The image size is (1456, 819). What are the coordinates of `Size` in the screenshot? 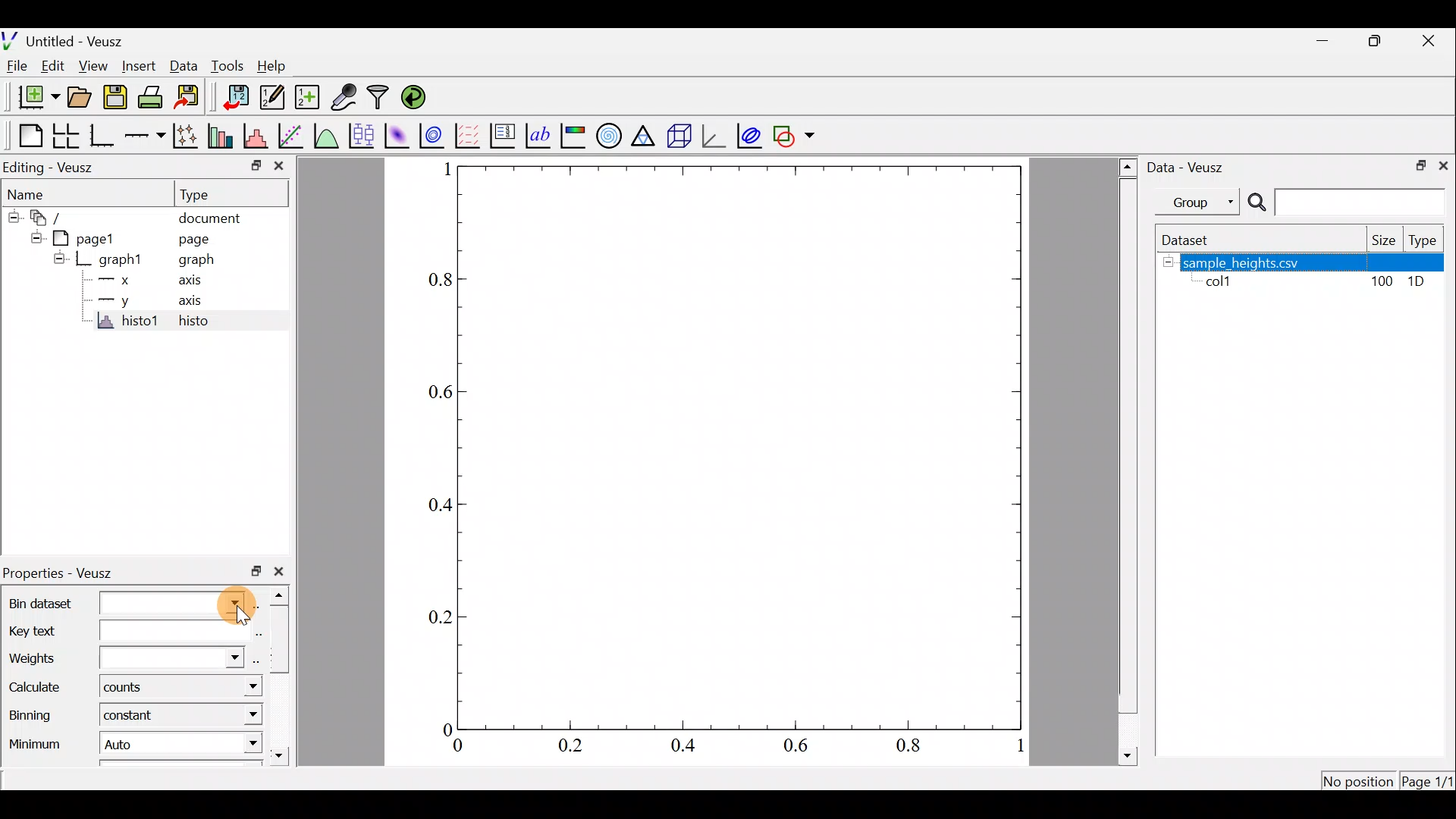 It's located at (1382, 240).